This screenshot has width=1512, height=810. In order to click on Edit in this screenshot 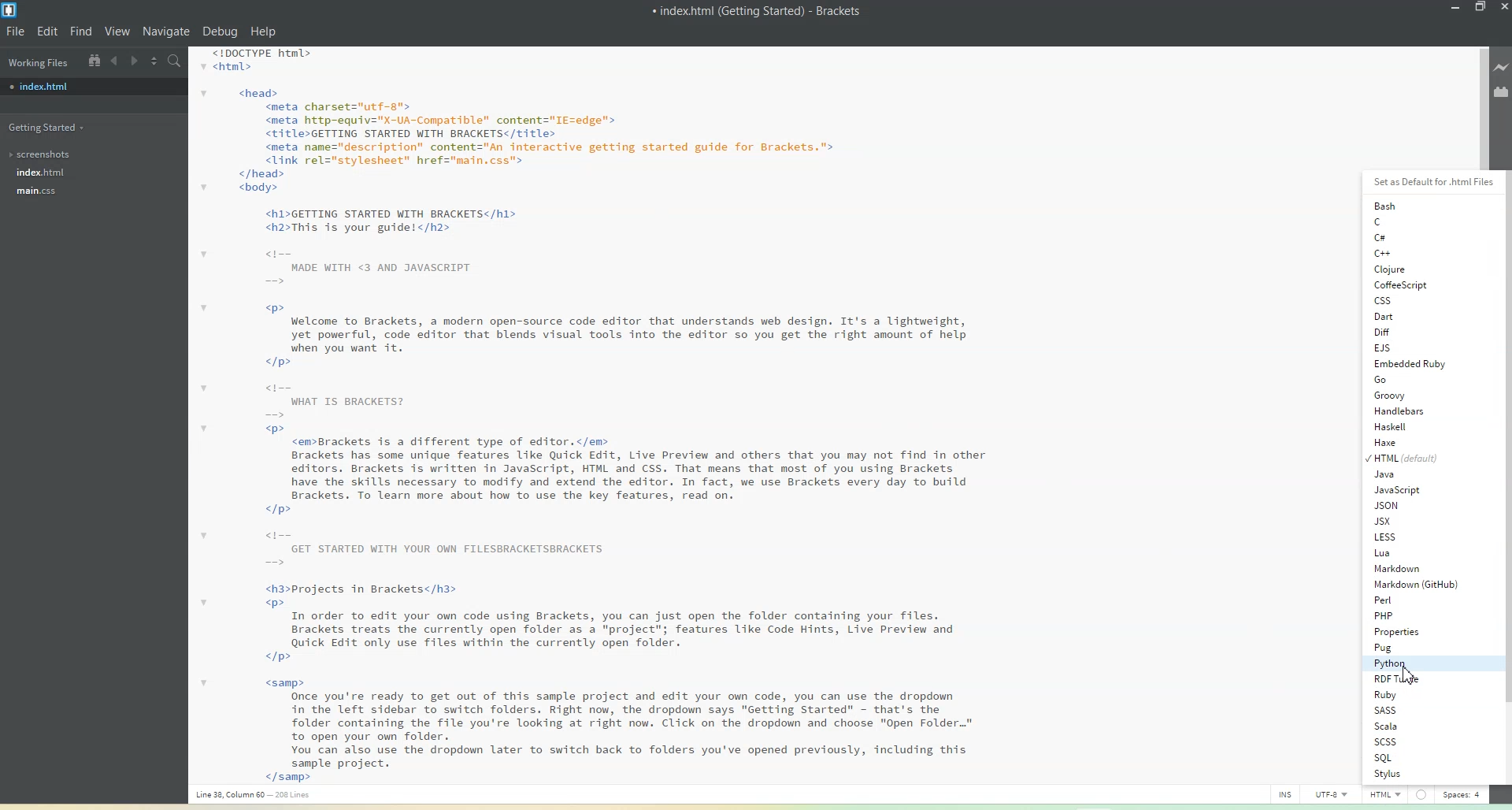, I will do `click(48, 31)`.